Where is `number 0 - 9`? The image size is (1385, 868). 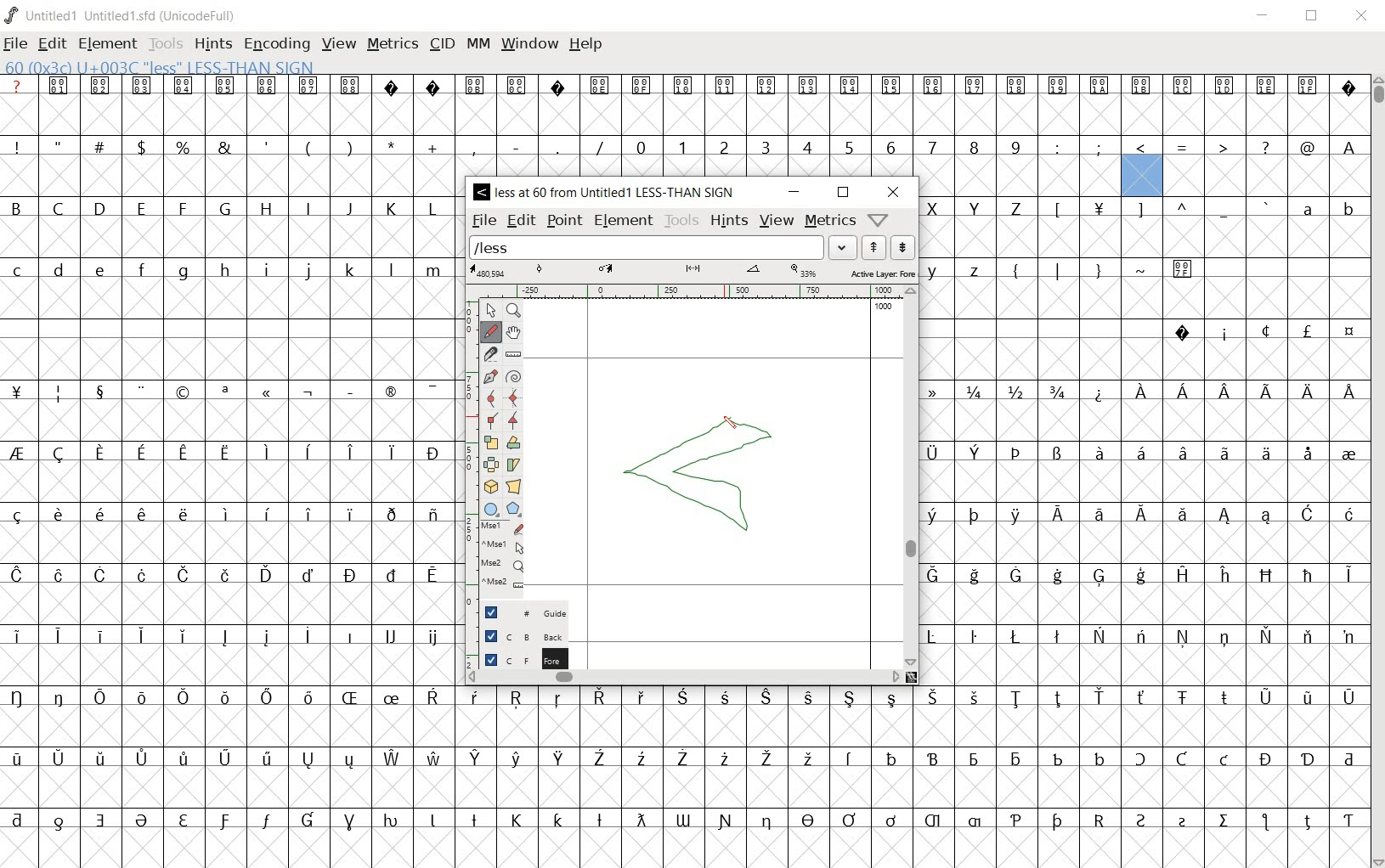
number 0 - 9 is located at coordinates (828, 147).